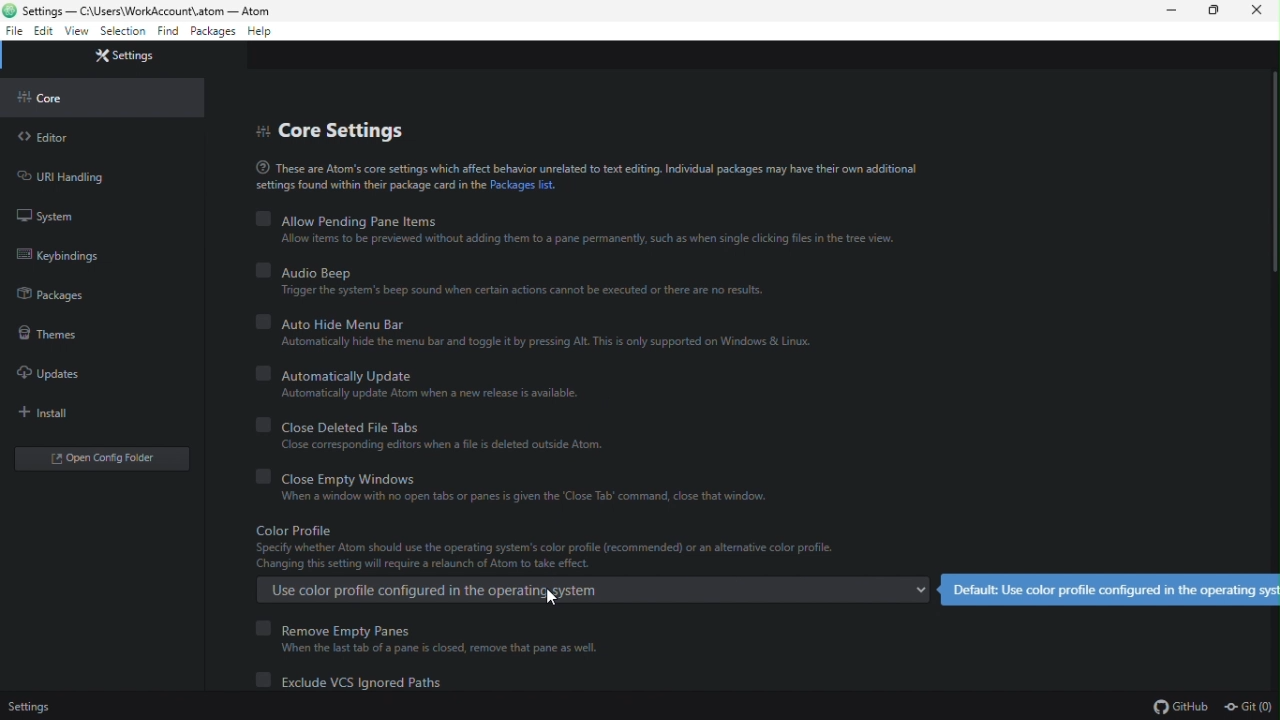 This screenshot has height=720, width=1280. Describe the element at coordinates (590, 564) in the screenshot. I see `color profile` at that location.